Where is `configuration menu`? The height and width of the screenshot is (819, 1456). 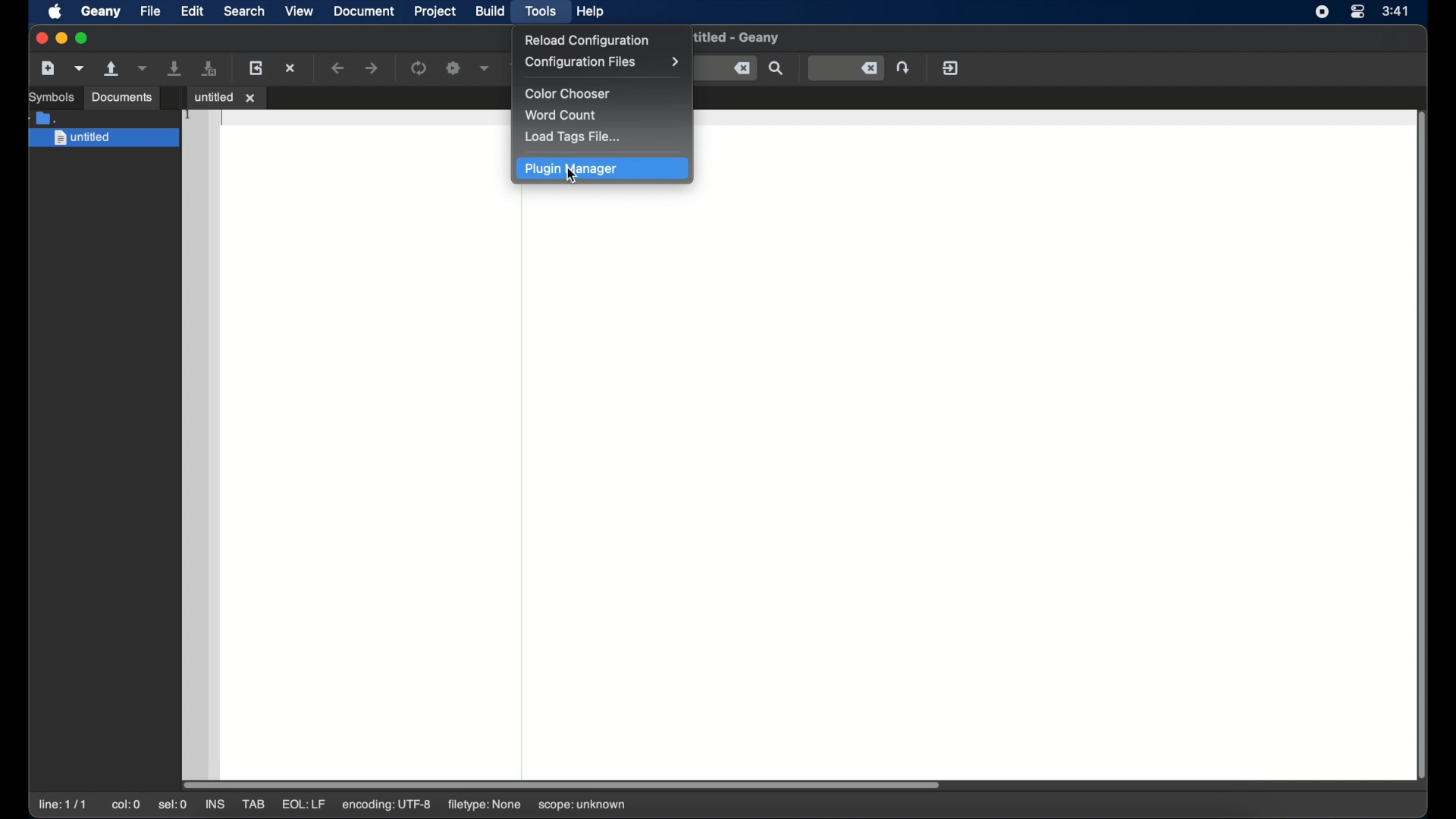 configuration menu is located at coordinates (601, 62).